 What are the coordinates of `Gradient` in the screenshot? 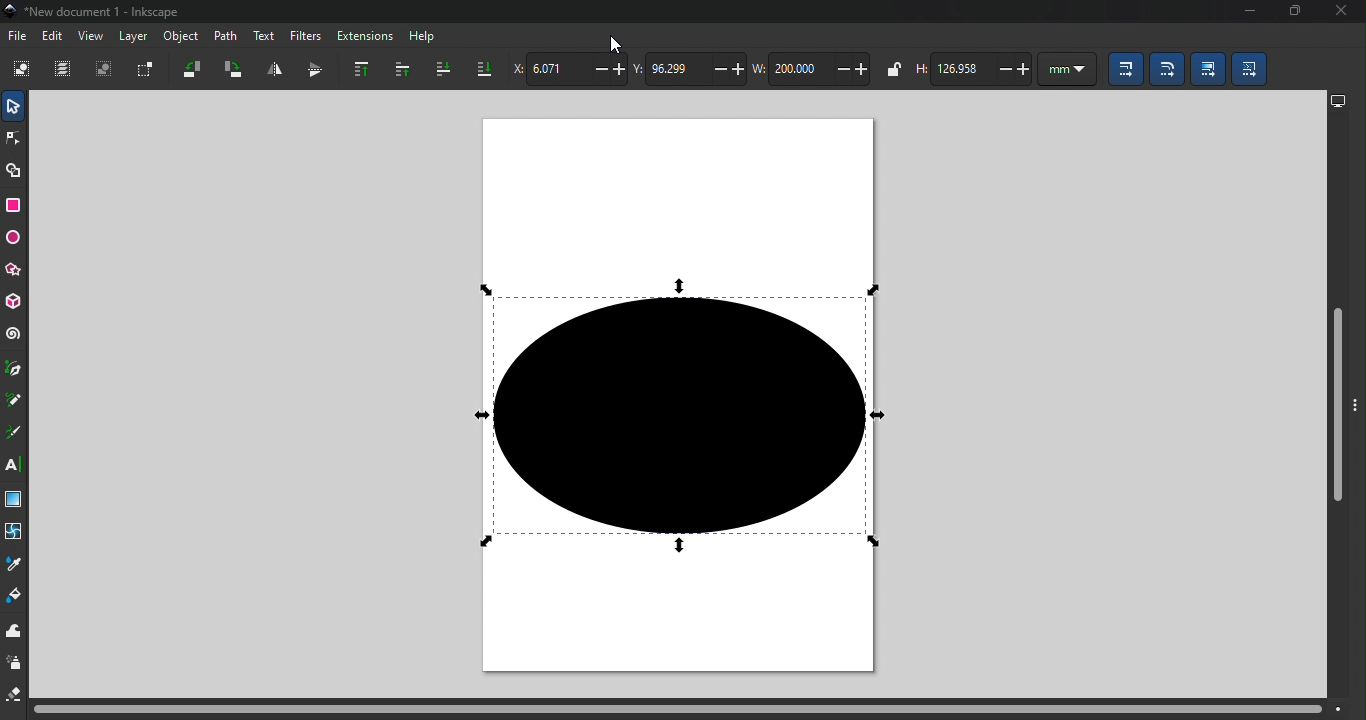 It's located at (14, 499).